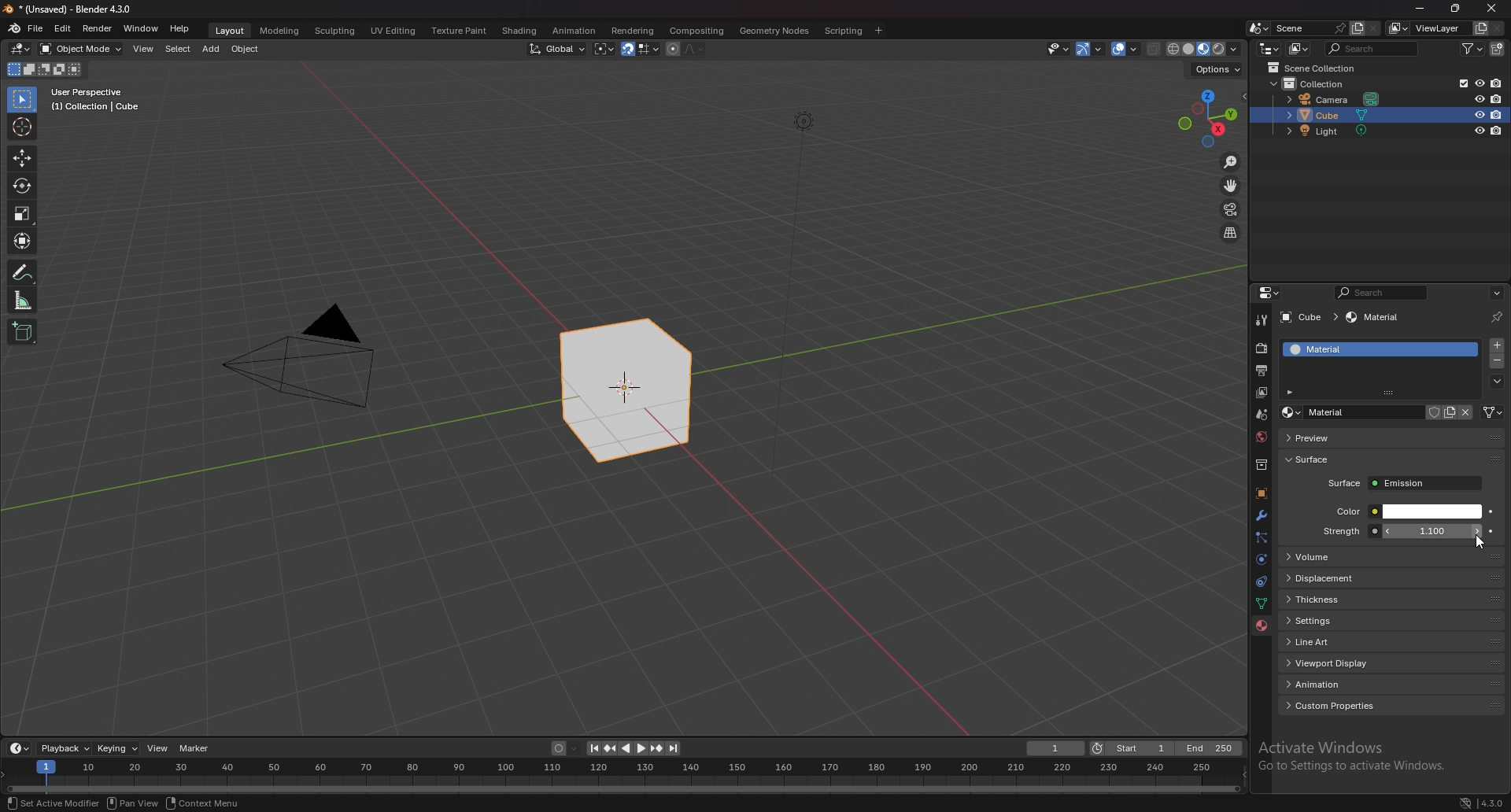  I want to click on browse scene, so click(1259, 28).